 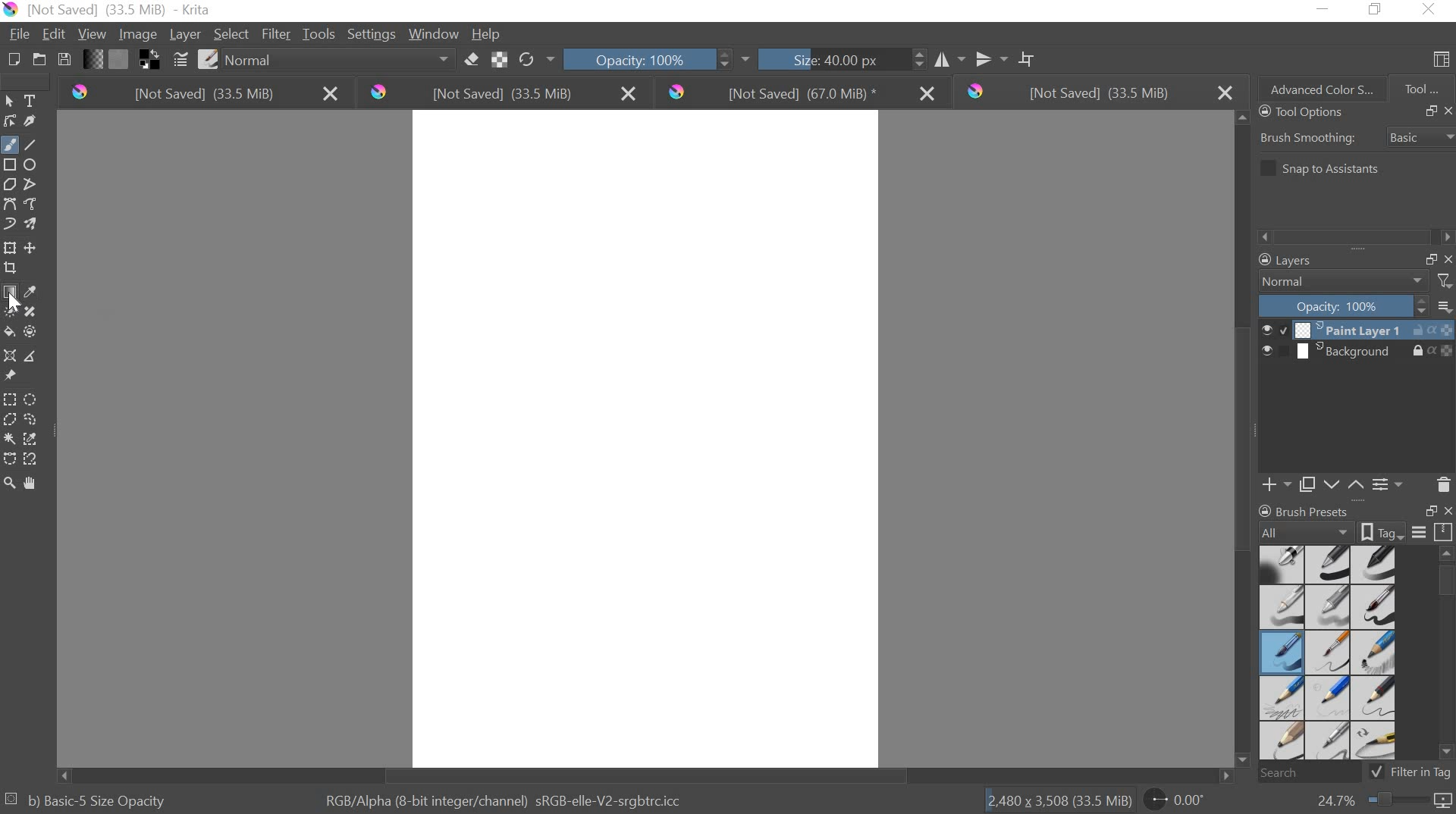 I want to click on CLOSE, so click(x=1447, y=111).